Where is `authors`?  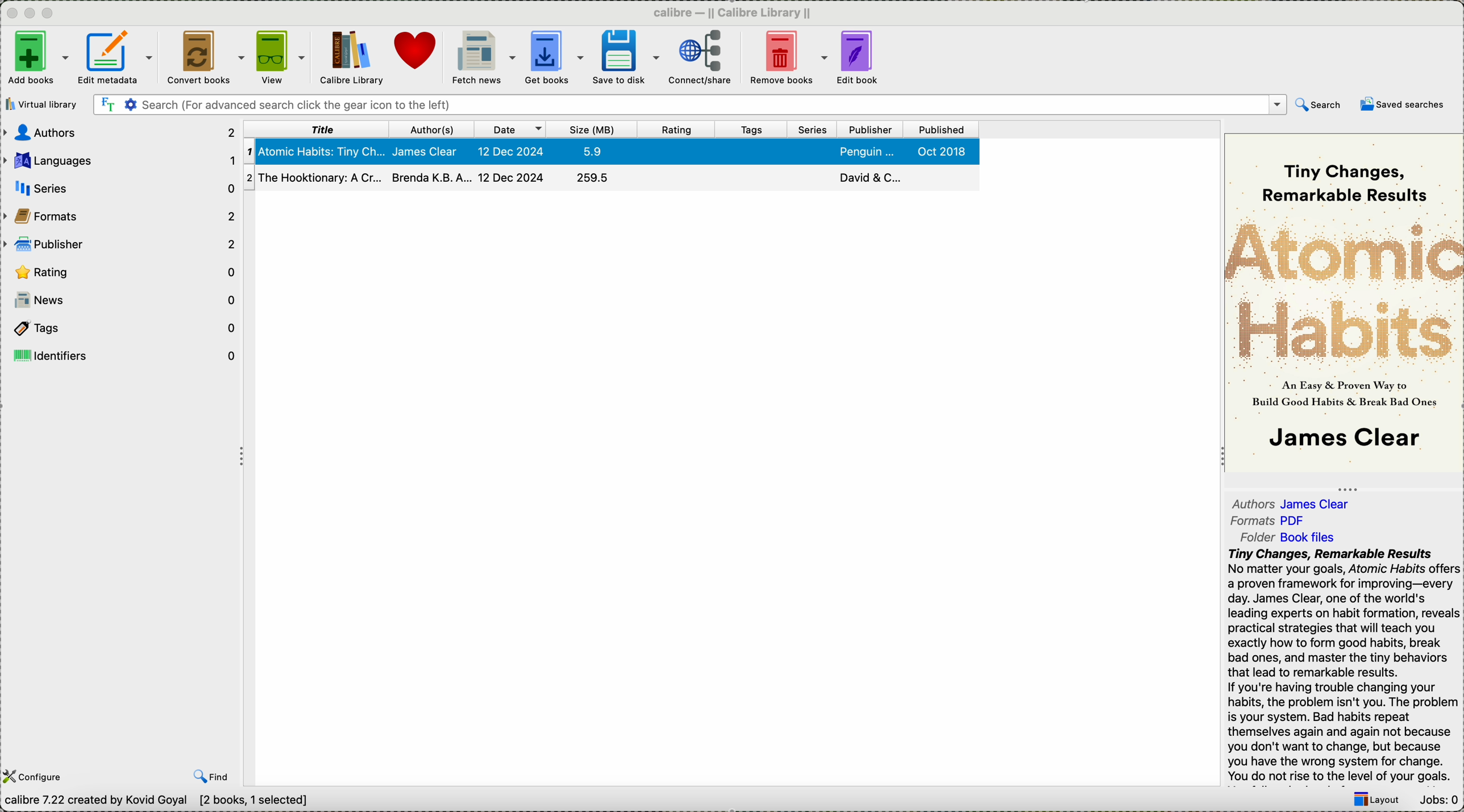 authors is located at coordinates (1295, 504).